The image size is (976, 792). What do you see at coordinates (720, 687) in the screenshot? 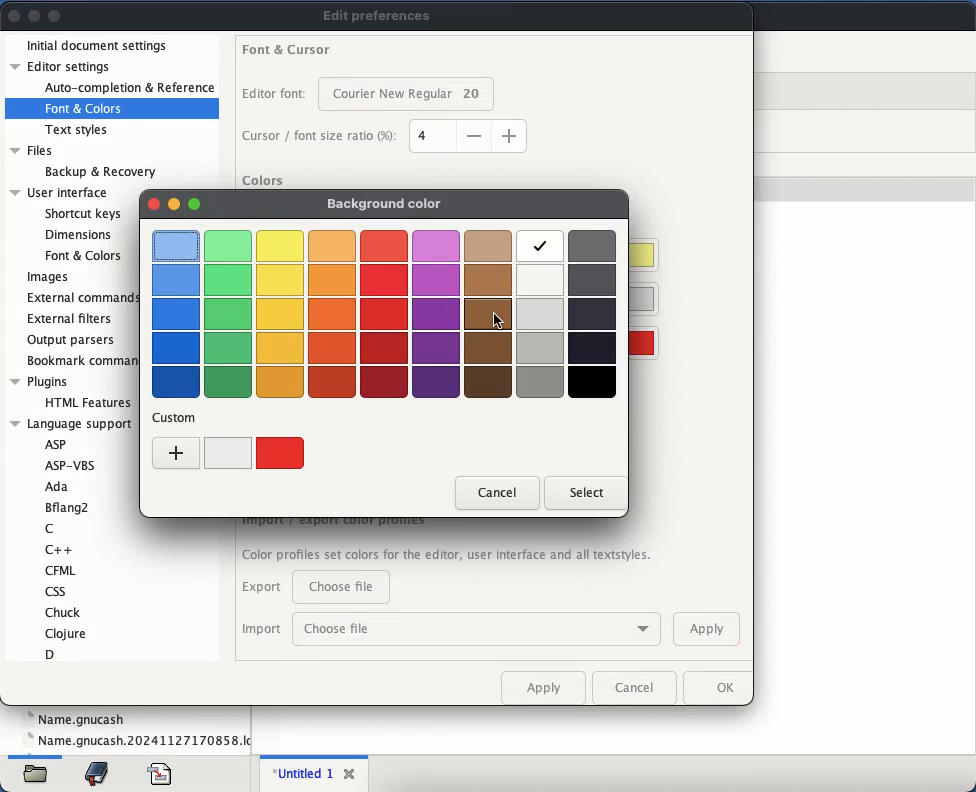
I see `ok` at bounding box center [720, 687].